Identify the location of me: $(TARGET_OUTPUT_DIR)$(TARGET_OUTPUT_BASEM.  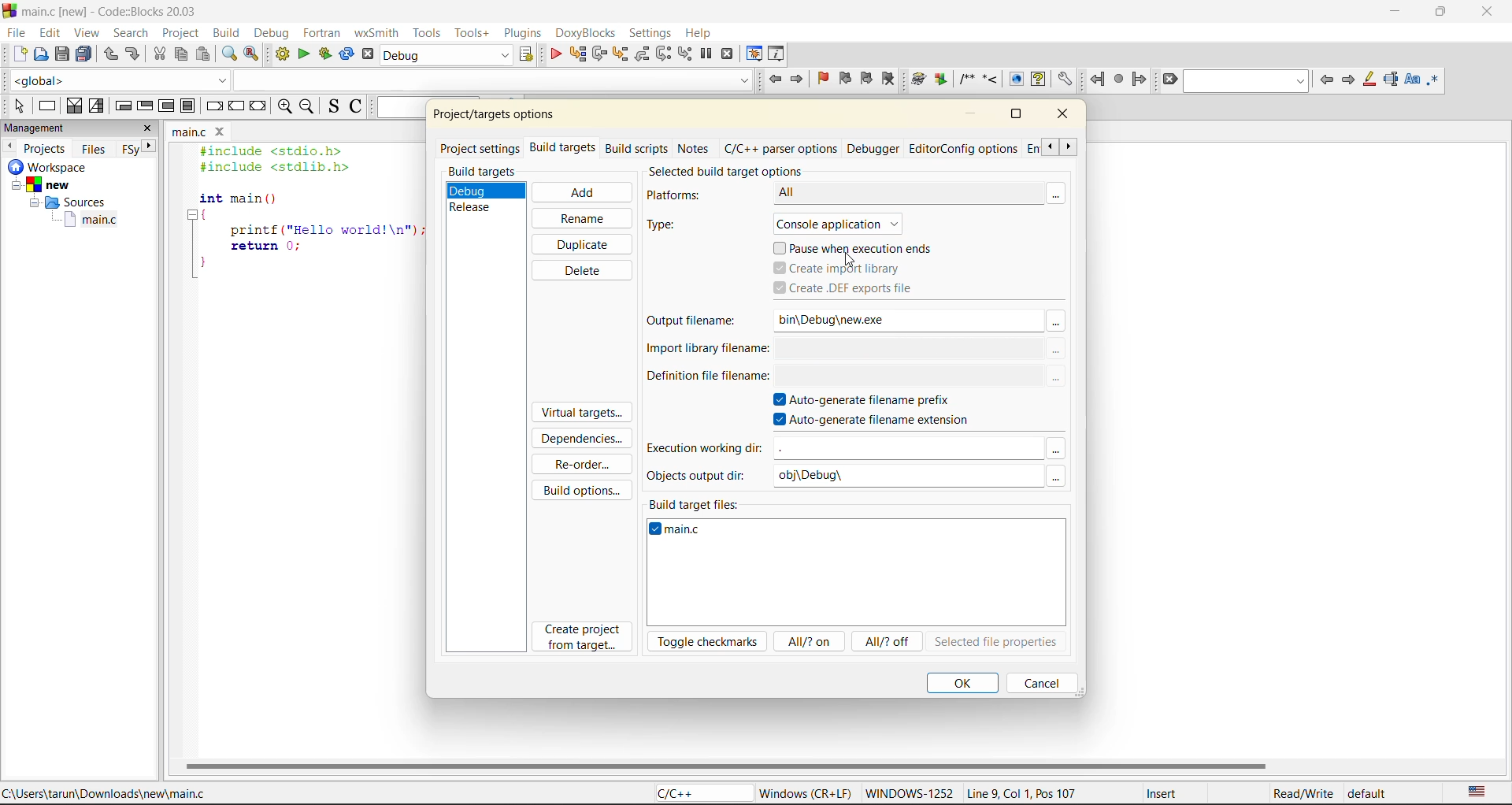
(909, 349).